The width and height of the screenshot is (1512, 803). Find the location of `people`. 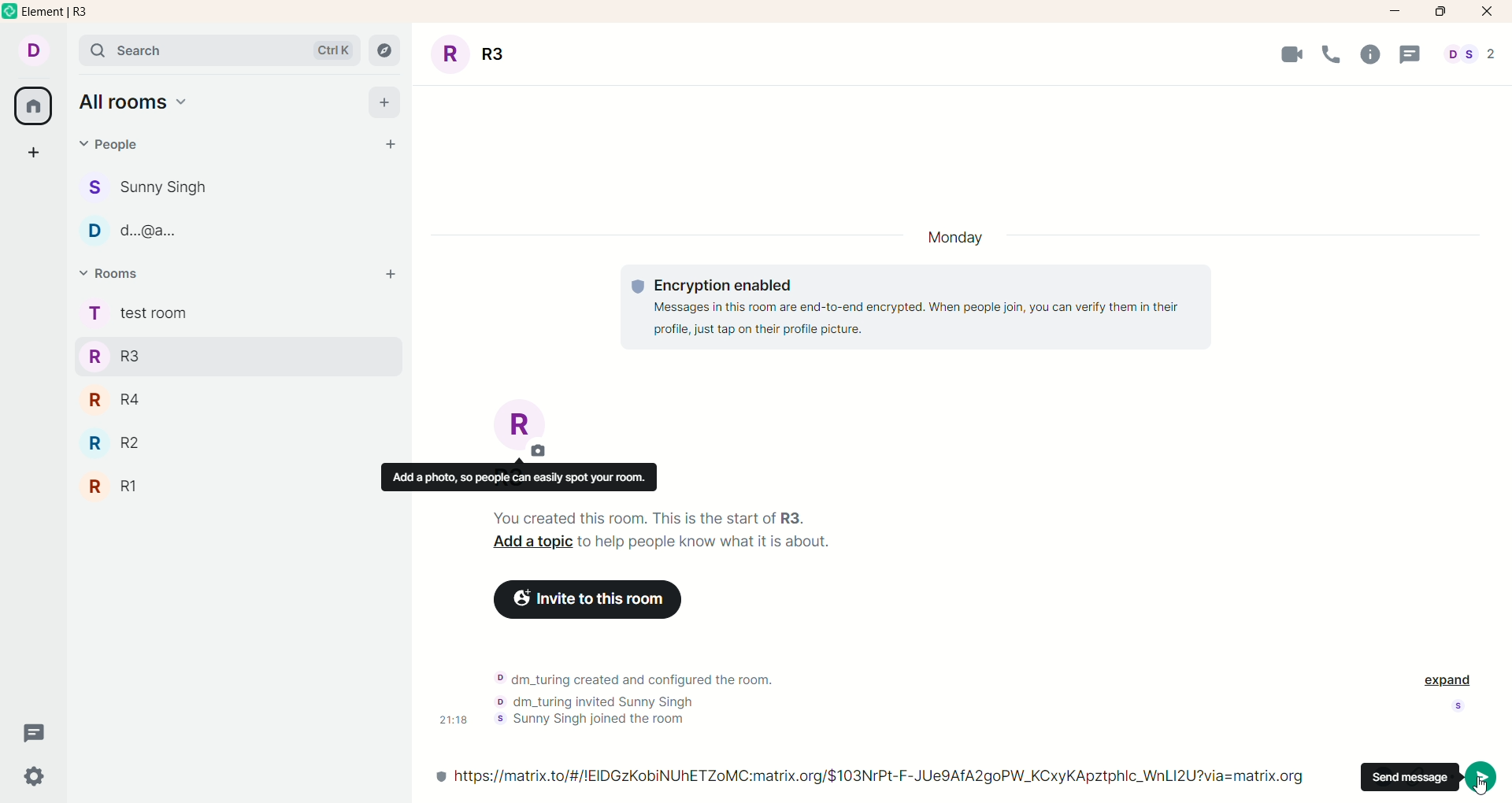

people is located at coordinates (169, 185).